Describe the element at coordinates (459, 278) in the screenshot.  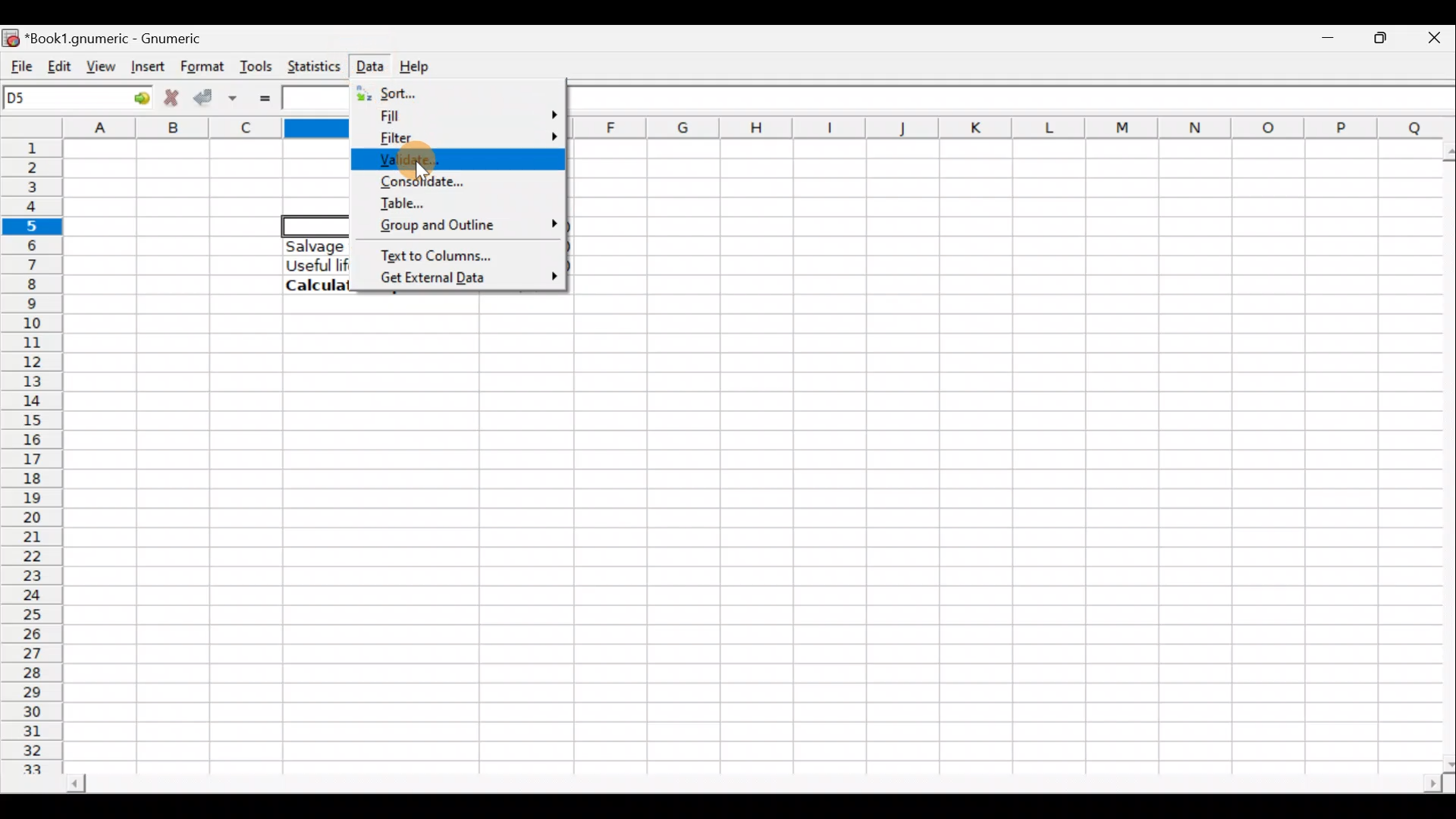
I see `Get external data` at that location.